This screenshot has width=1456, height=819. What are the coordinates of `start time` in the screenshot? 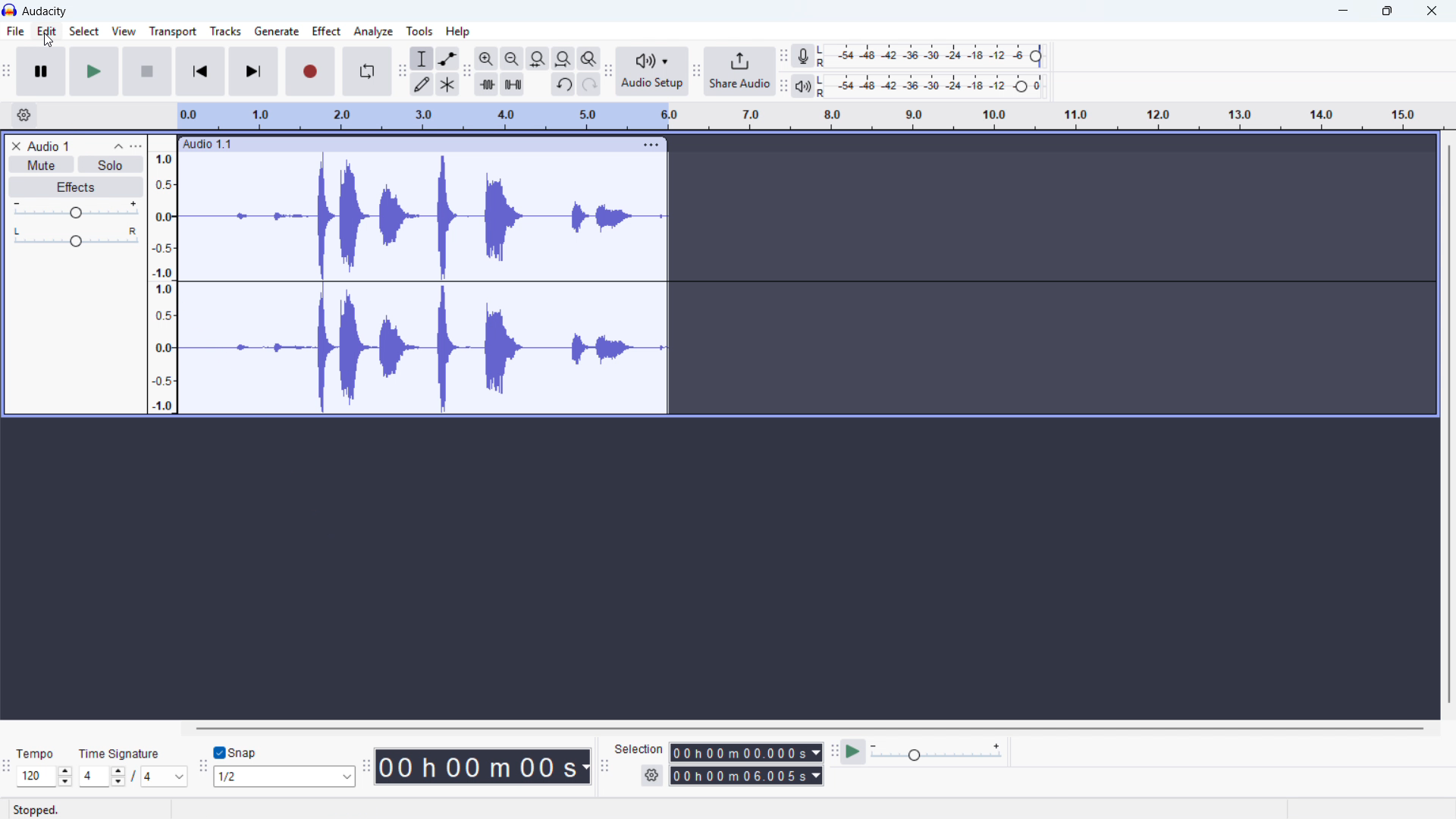 It's located at (745, 752).